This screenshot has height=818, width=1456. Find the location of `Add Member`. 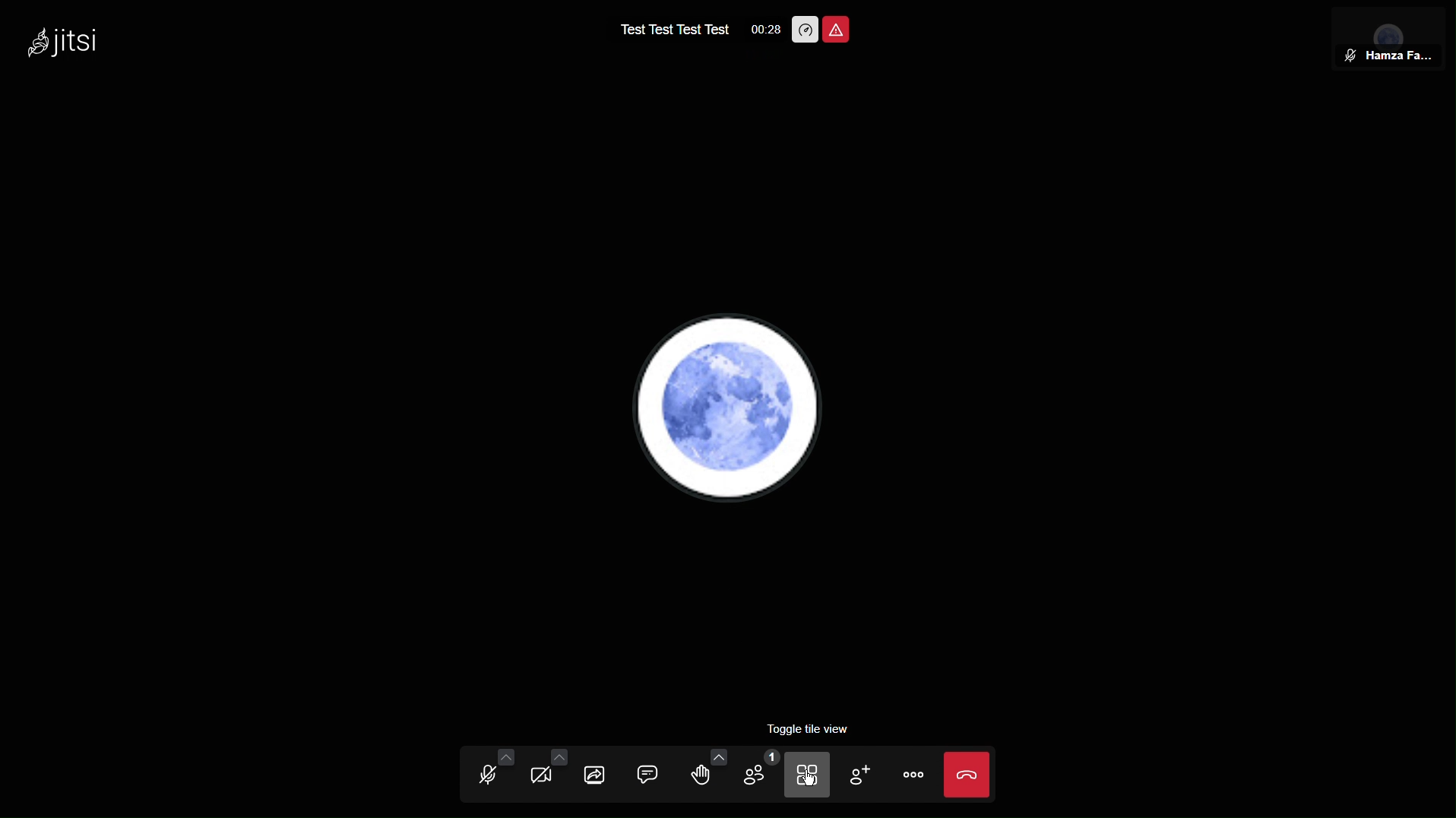

Add Member is located at coordinates (863, 773).